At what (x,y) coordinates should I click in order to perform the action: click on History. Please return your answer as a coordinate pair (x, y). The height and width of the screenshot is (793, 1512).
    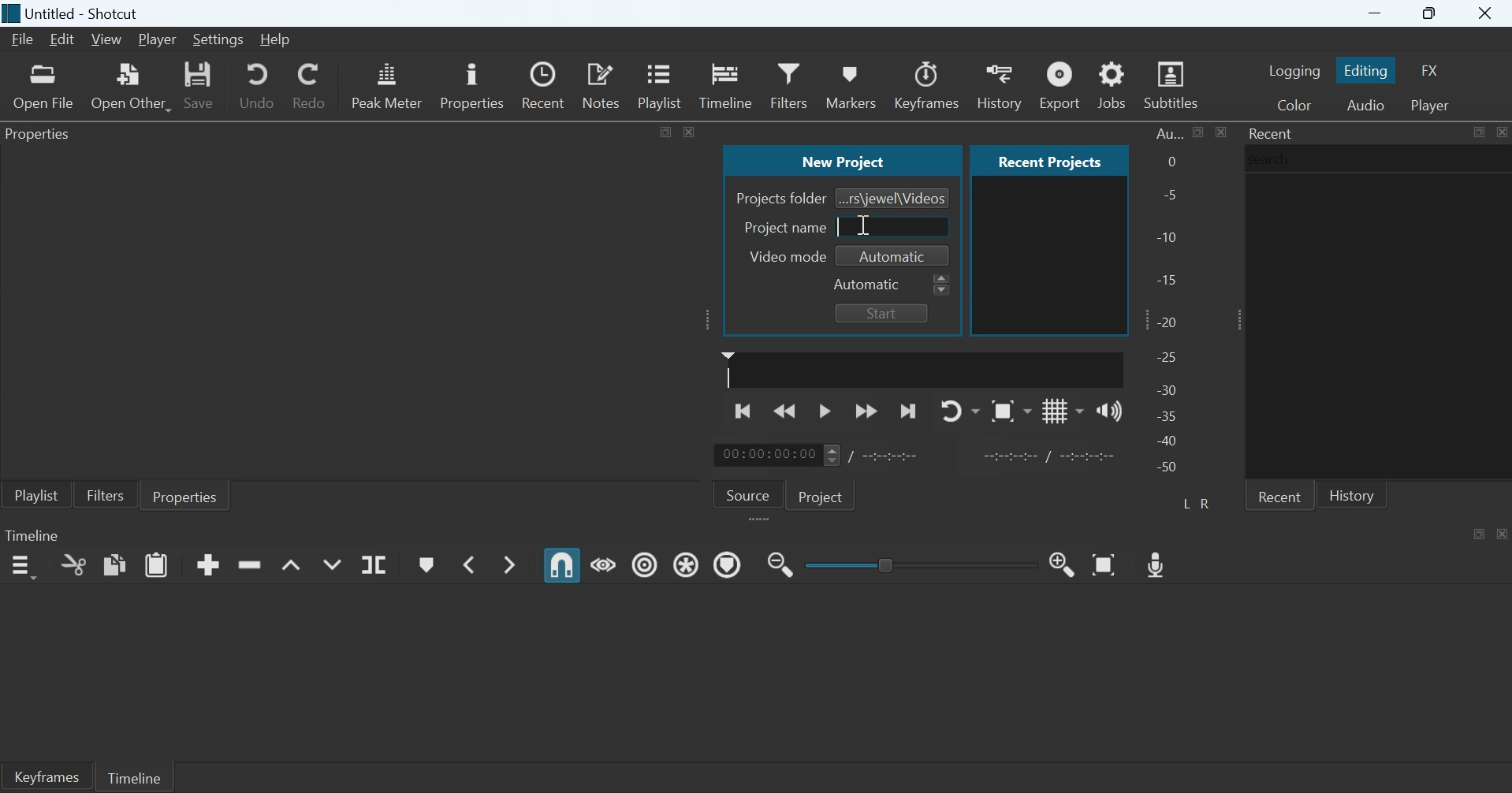
    Looking at the image, I should click on (998, 85).